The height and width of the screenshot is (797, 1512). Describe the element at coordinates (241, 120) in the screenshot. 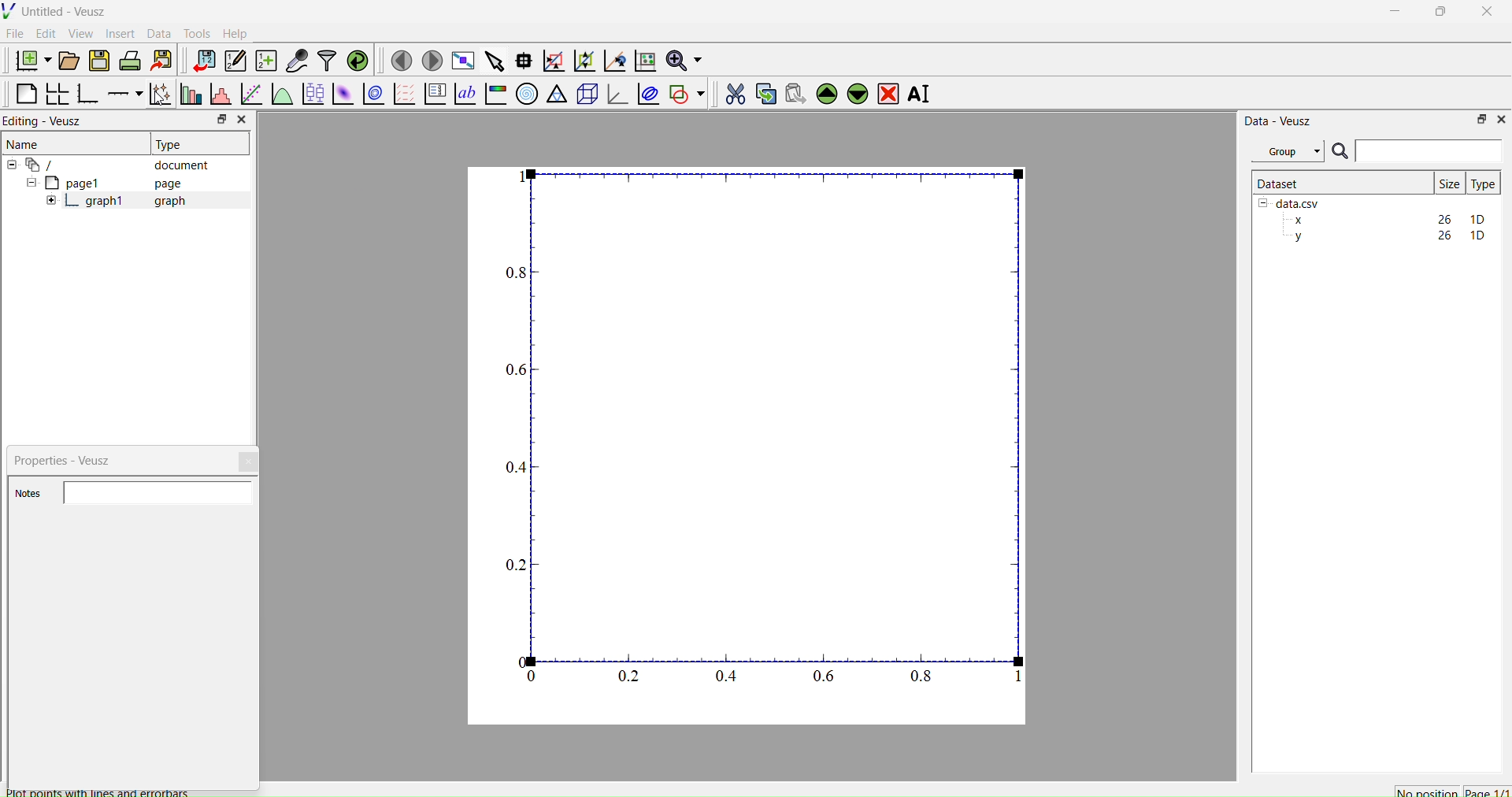

I see `Close` at that location.